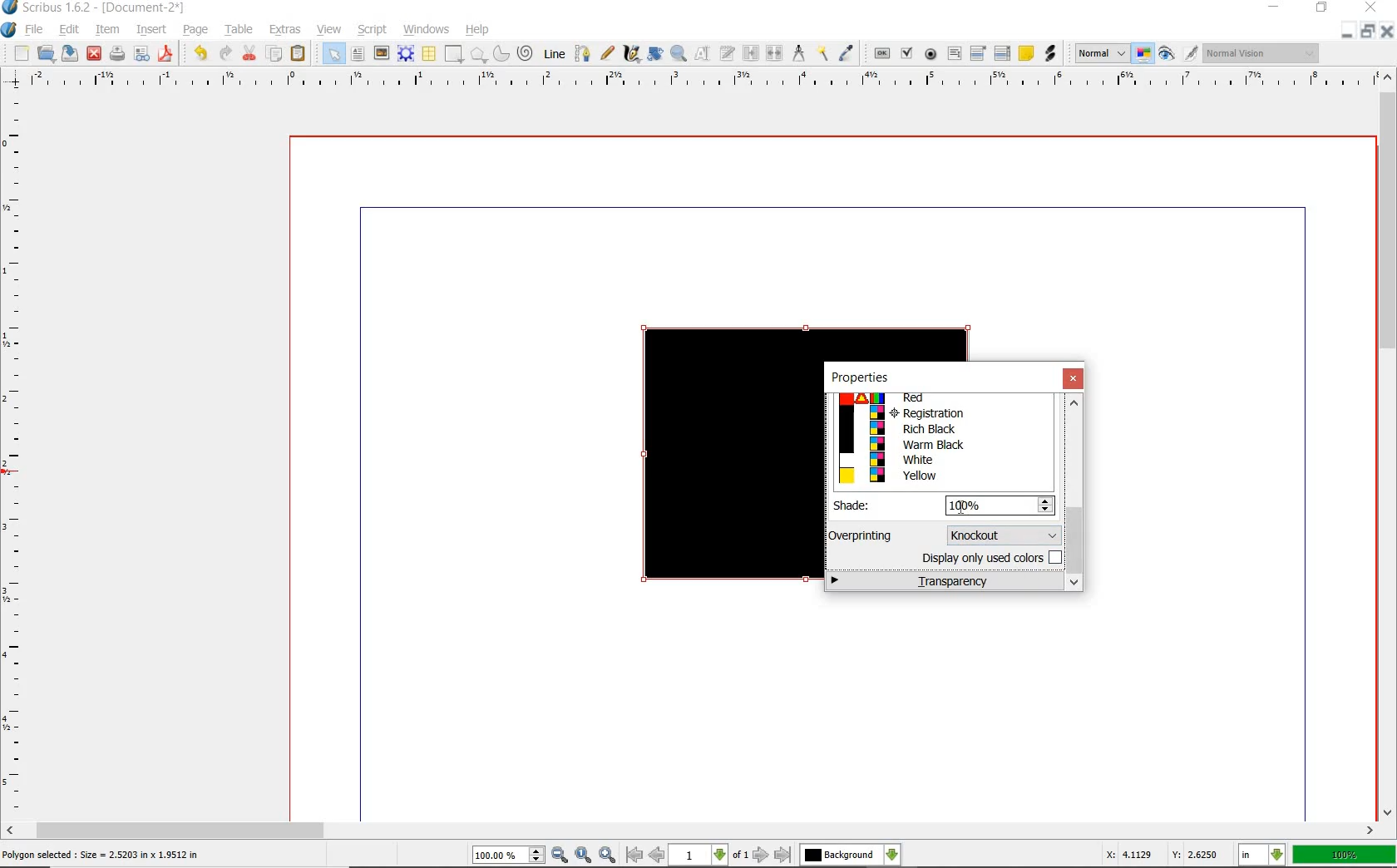 The image size is (1397, 868). Describe the element at coordinates (1001, 534) in the screenshot. I see `knockout` at that location.